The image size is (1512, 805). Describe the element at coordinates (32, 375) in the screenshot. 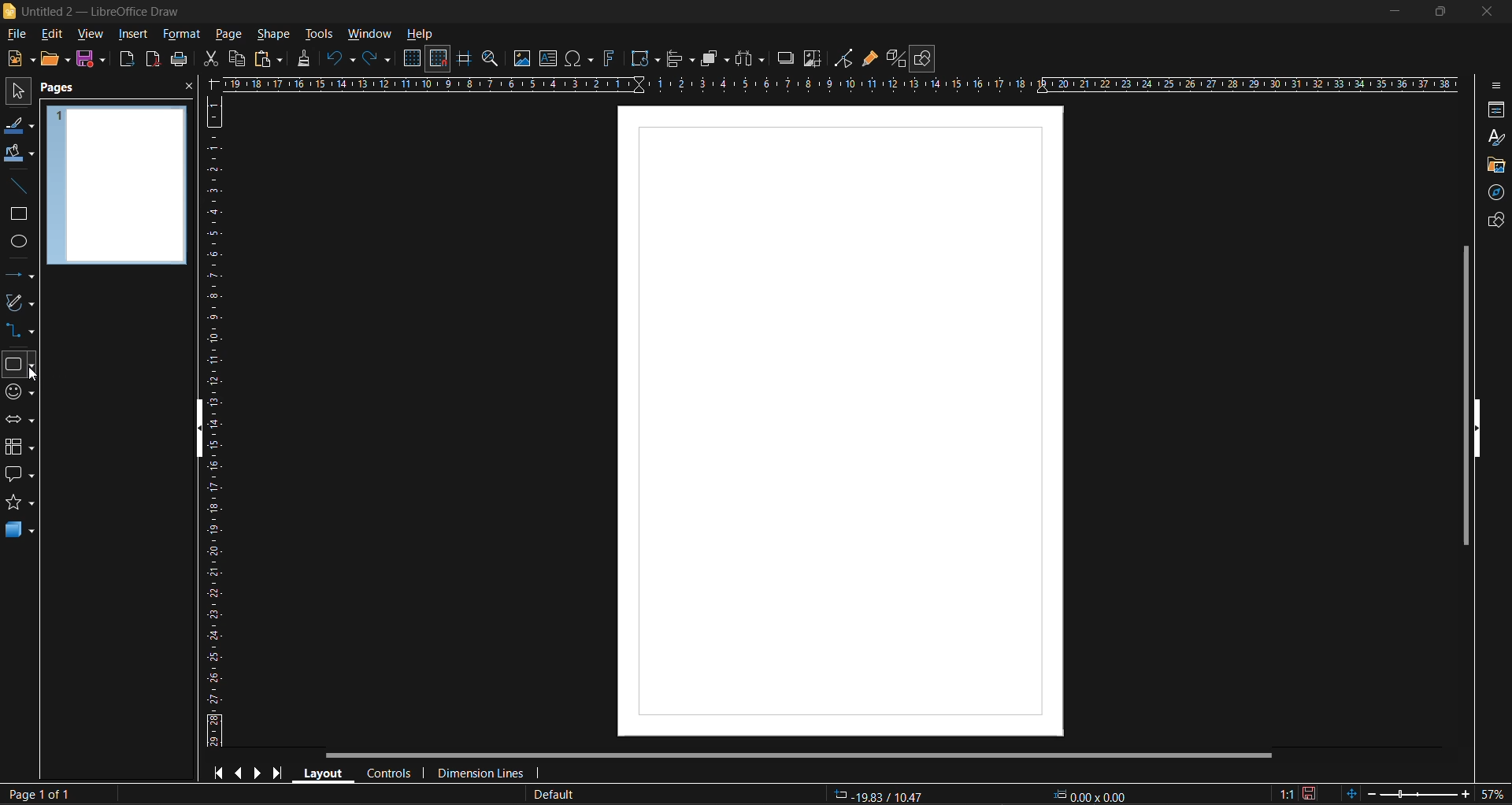

I see `cursor` at that location.